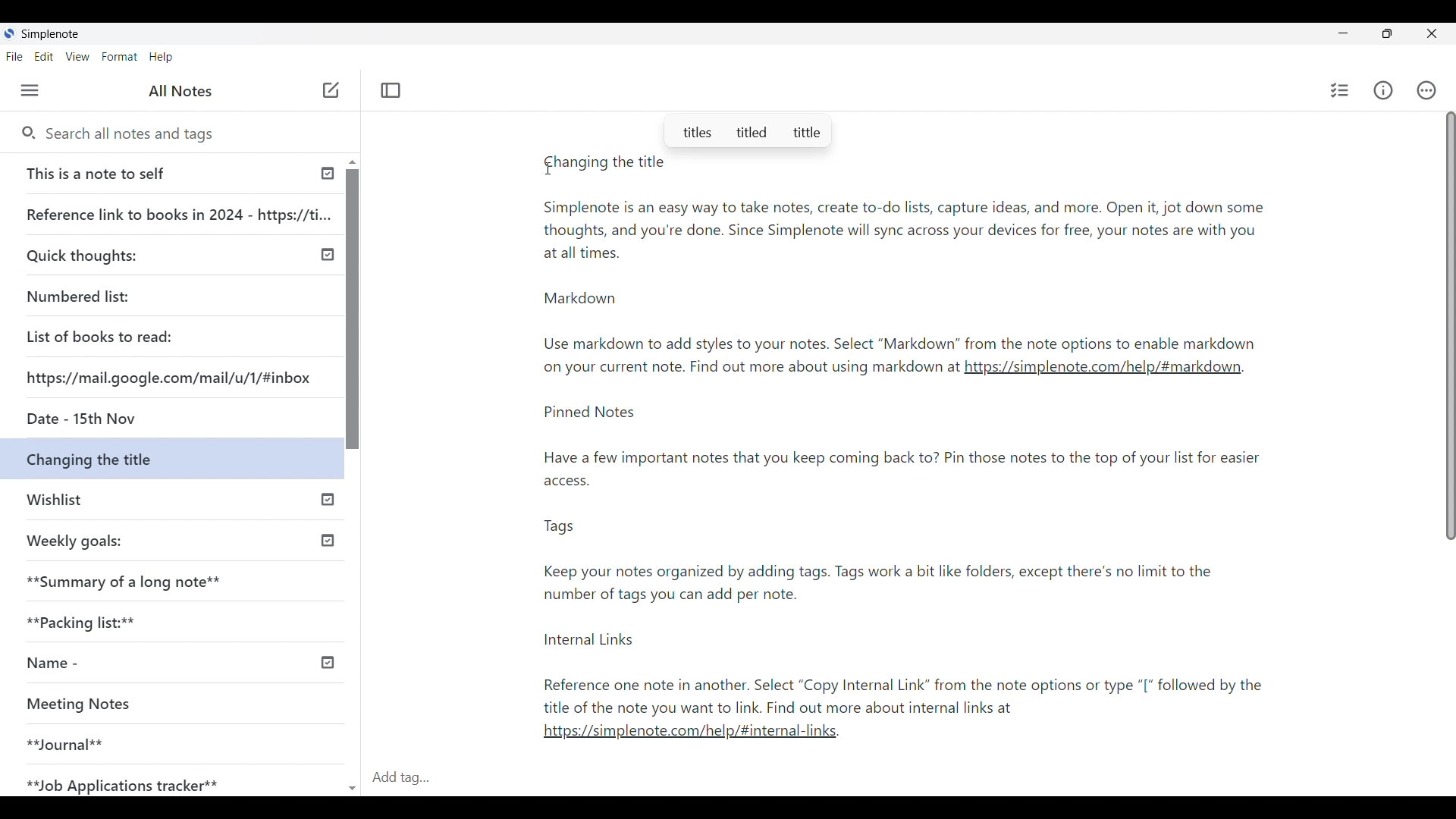 This screenshot has width=1456, height=819. Describe the element at coordinates (15, 56) in the screenshot. I see `File menu` at that location.